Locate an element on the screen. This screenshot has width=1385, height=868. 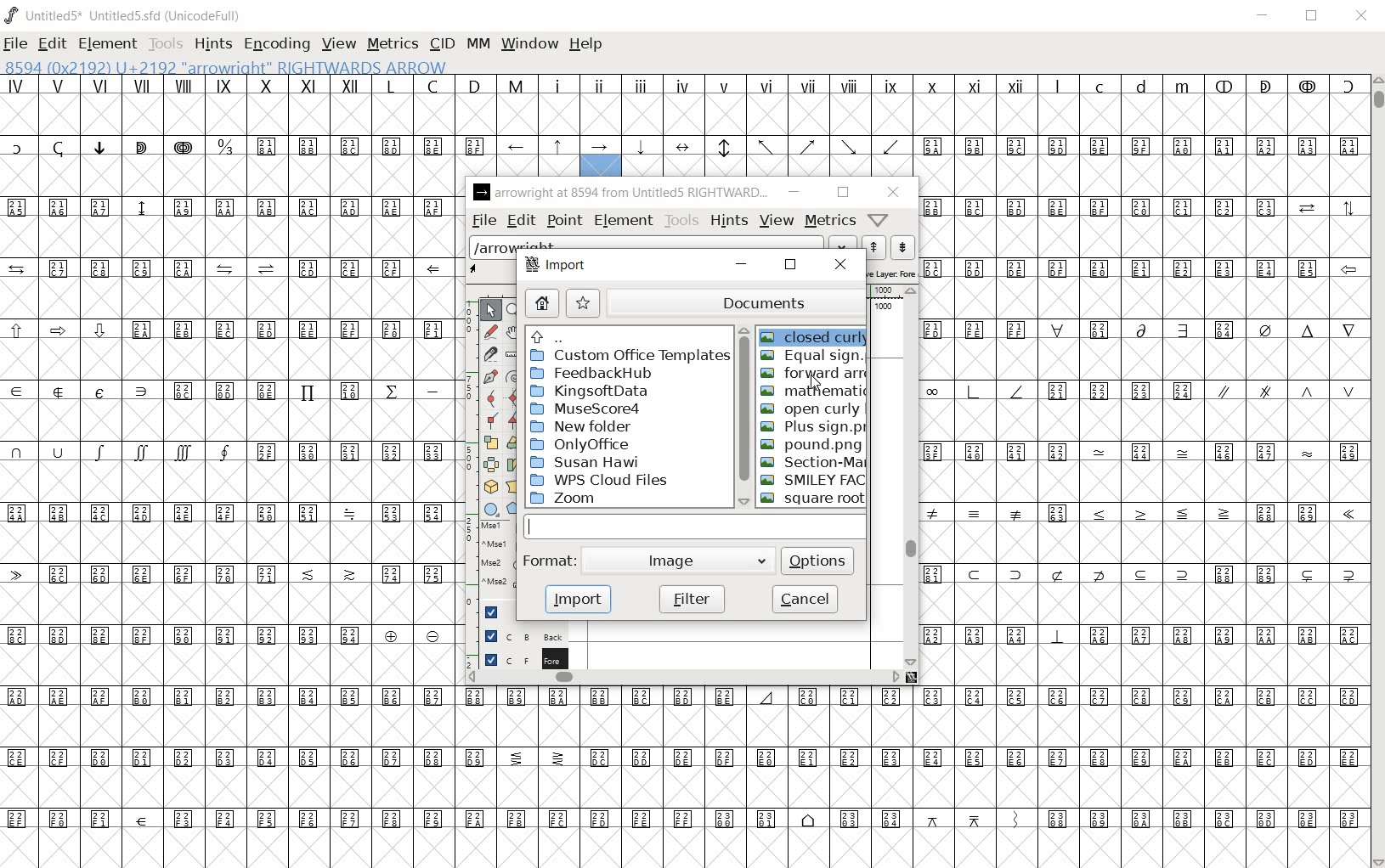
ENCODING is located at coordinates (275, 43).